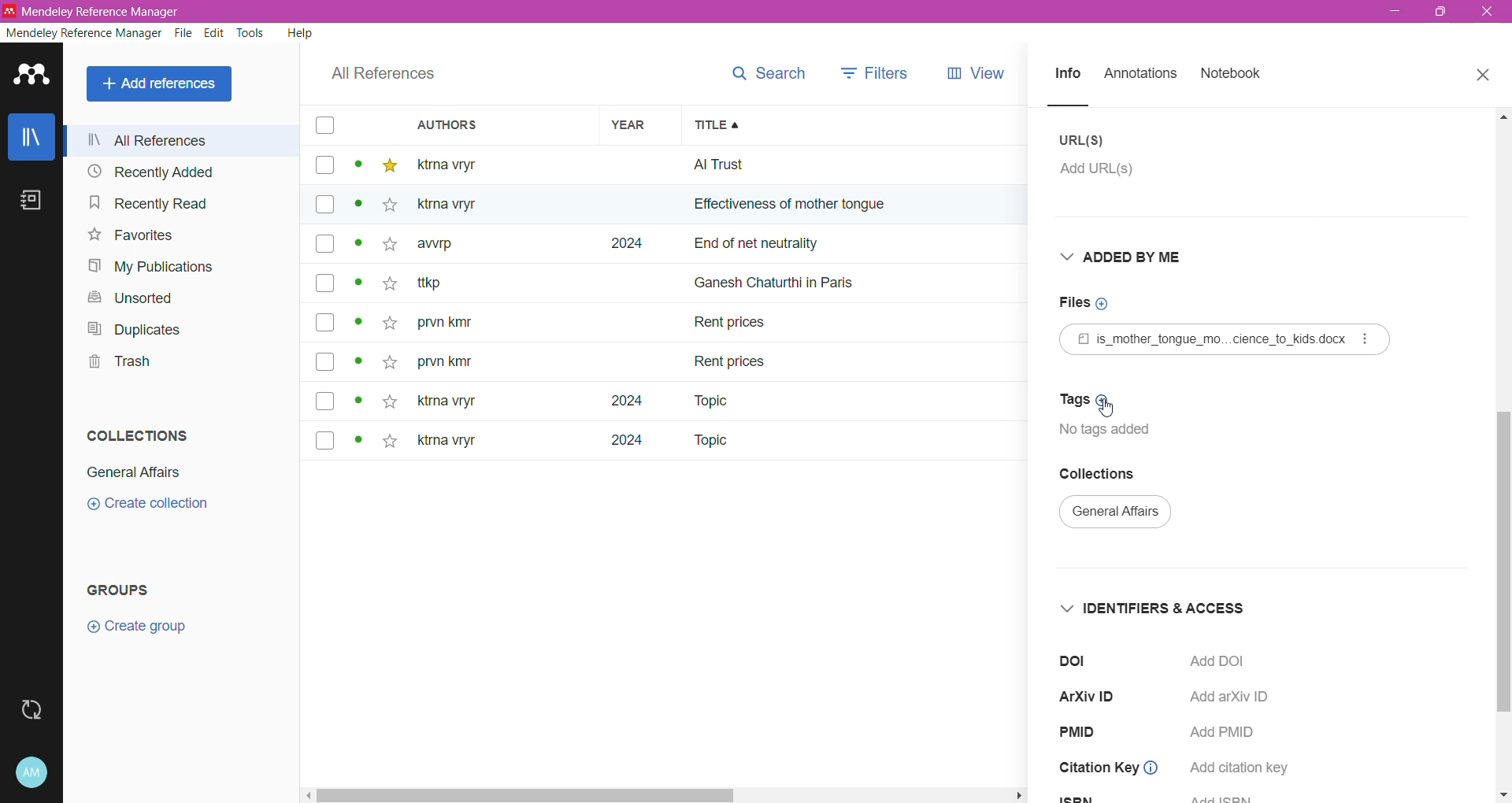  What do you see at coordinates (323, 126) in the screenshot?
I see `box` at bounding box center [323, 126].